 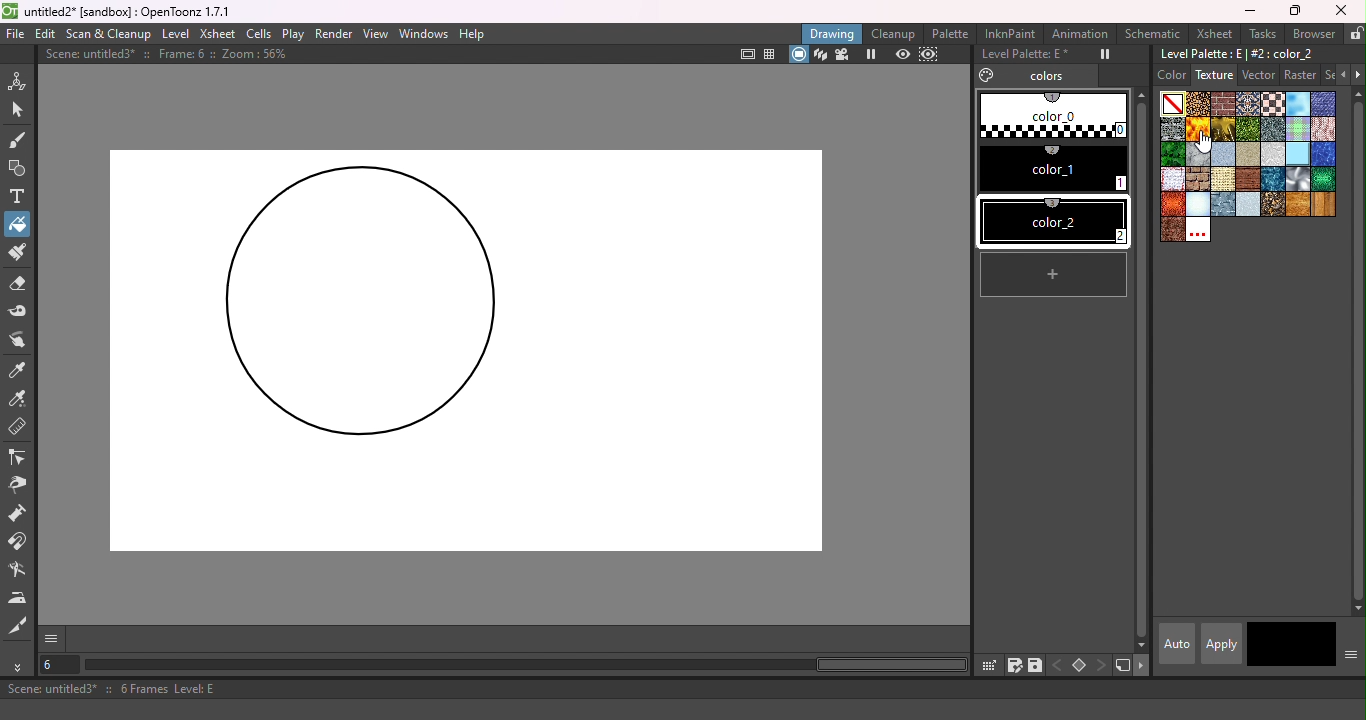 What do you see at coordinates (53, 639) in the screenshot?
I see `GUI show/hide` at bounding box center [53, 639].